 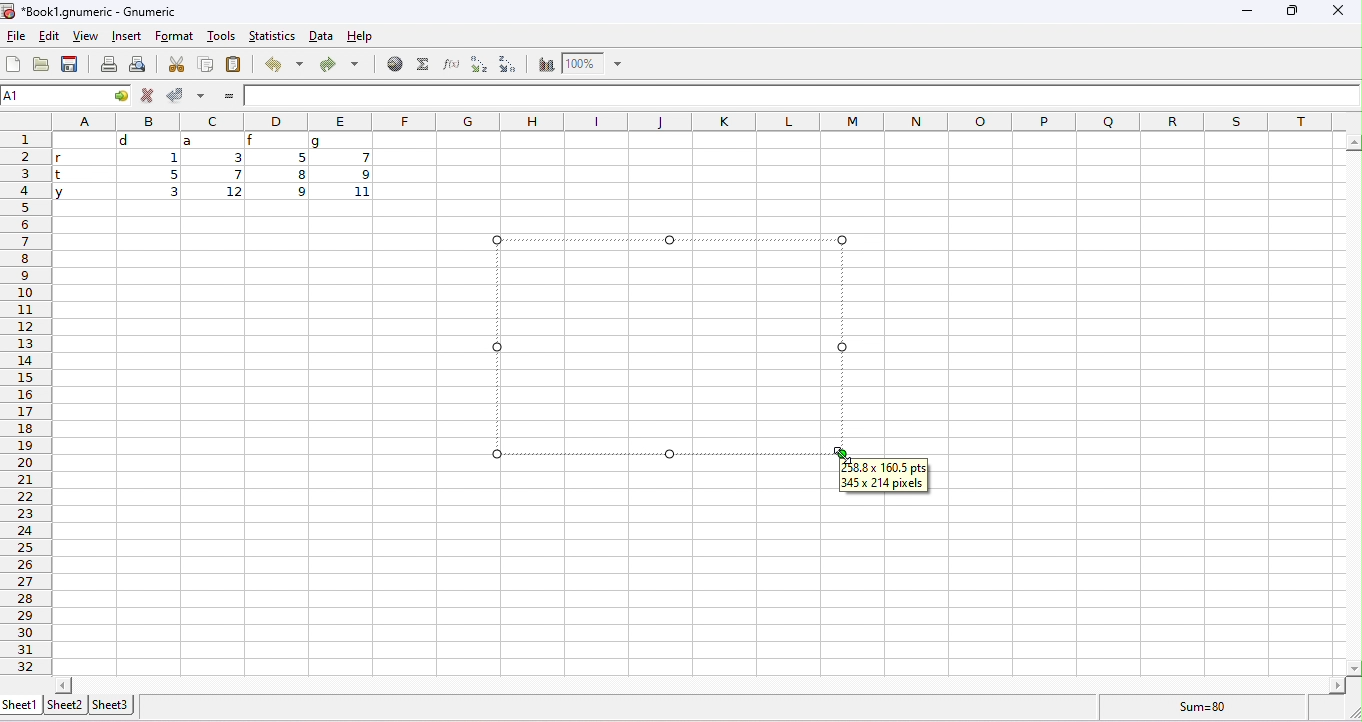 I want to click on column headings, so click(x=693, y=121).